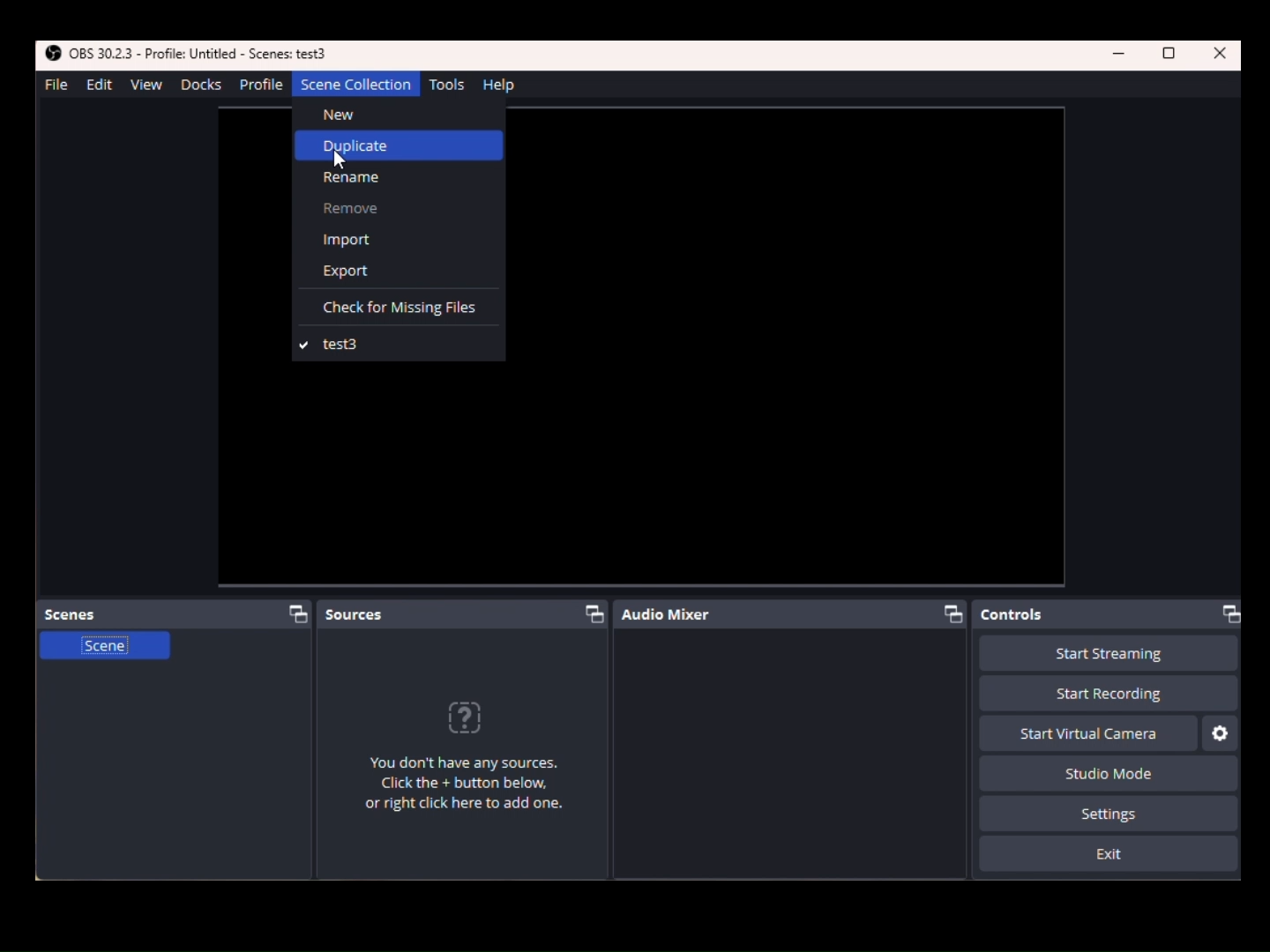 The height and width of the screenshot is (952, 1270). Describe the element at coordinates (1221, 54) in the screenshot. I see `Close` at that location.